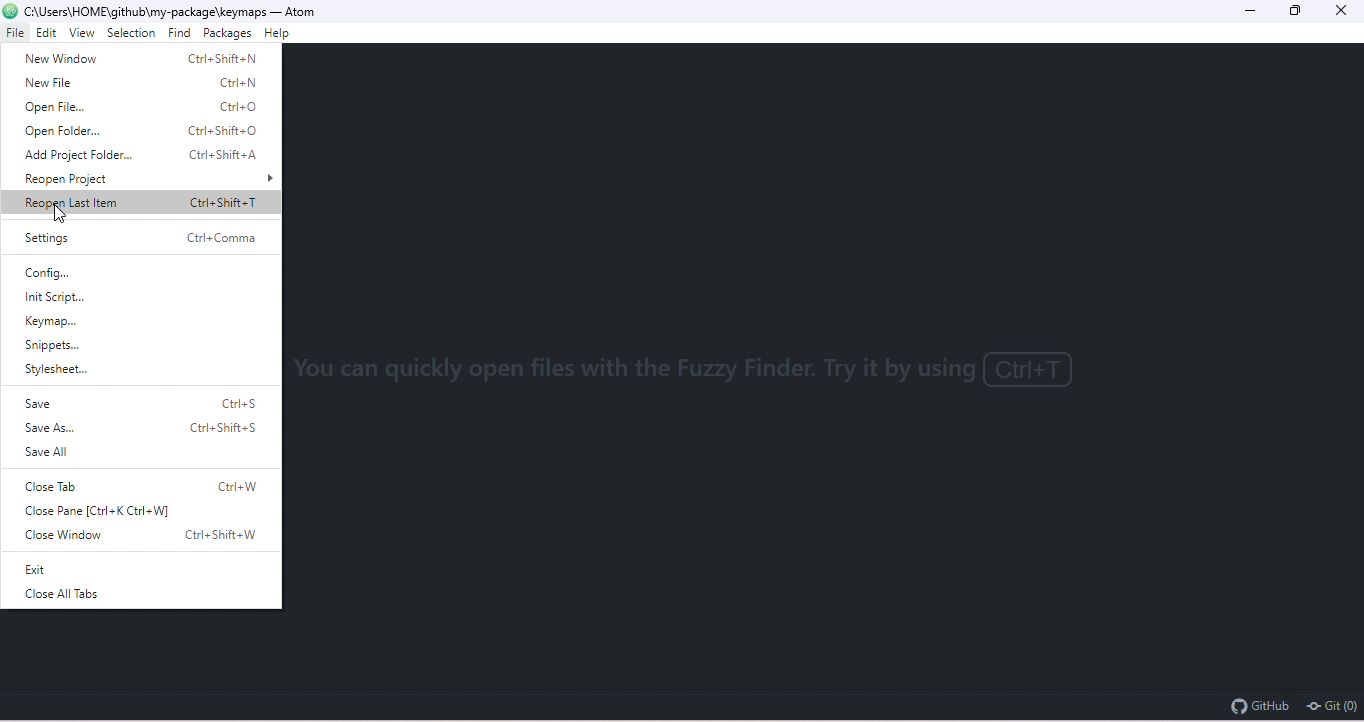 The image size is (1364, 722). Describe the element at coordinates (127, 370) in the screenshot. I see `stylesheet` at that location.